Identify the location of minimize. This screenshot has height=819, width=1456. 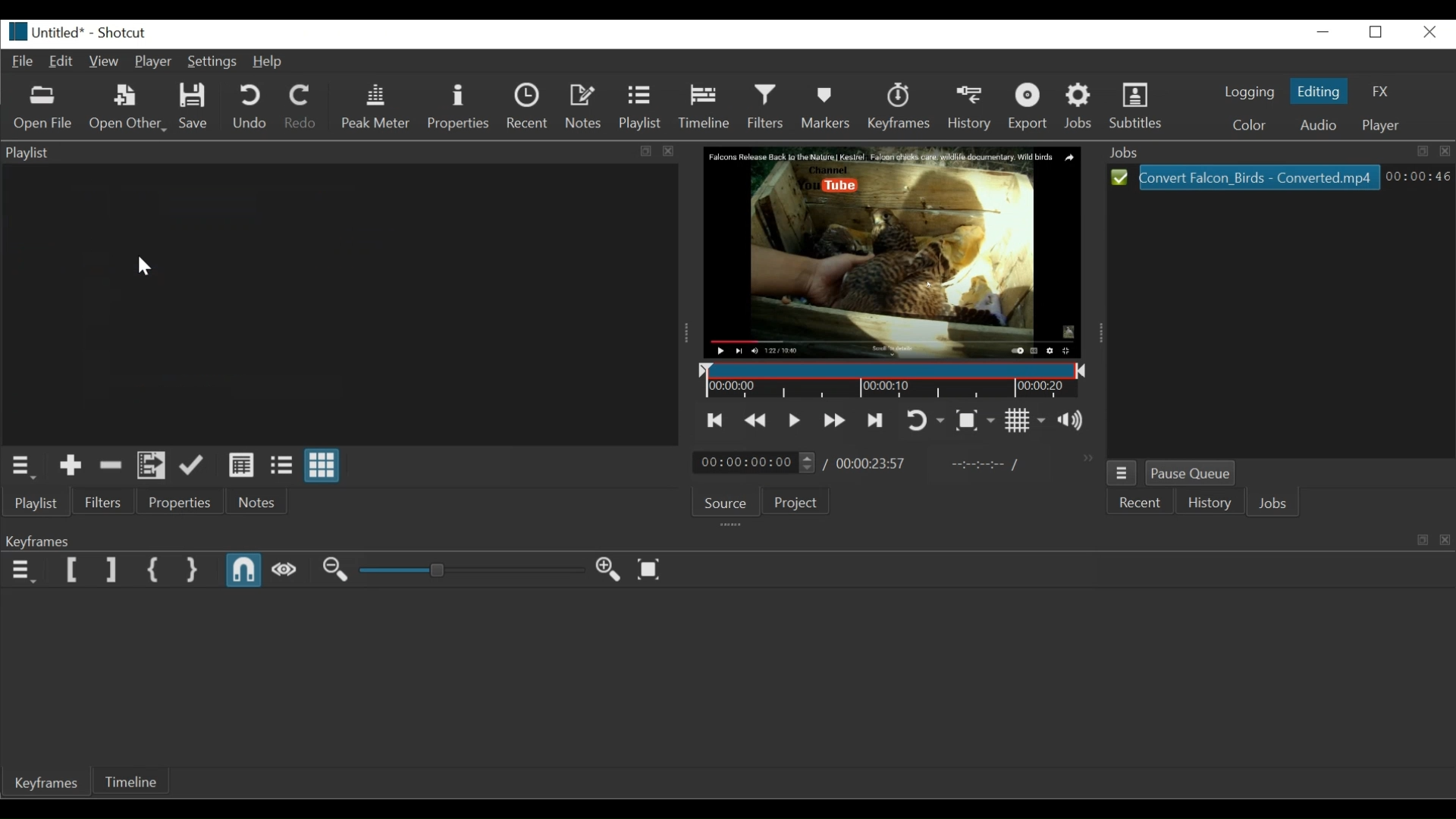
(1322, 33).